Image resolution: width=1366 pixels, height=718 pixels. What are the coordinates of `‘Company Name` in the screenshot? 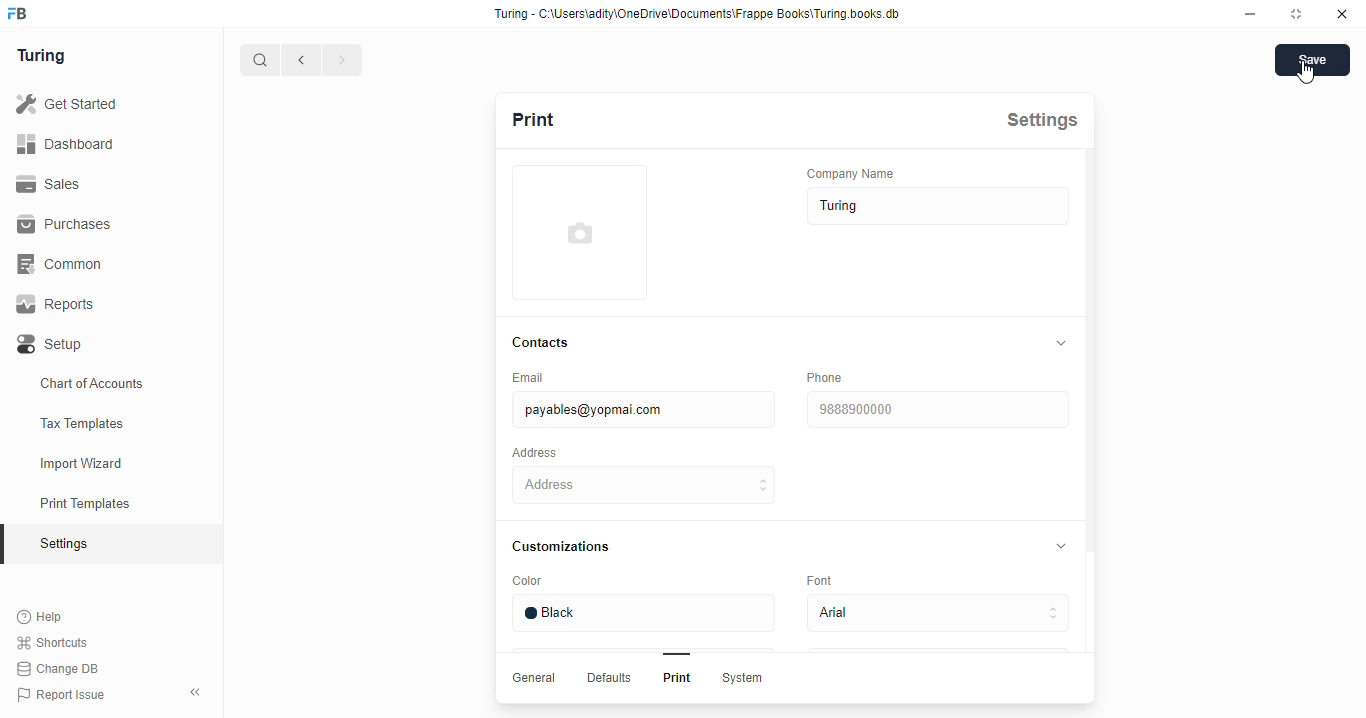 It's located at (859, 172).